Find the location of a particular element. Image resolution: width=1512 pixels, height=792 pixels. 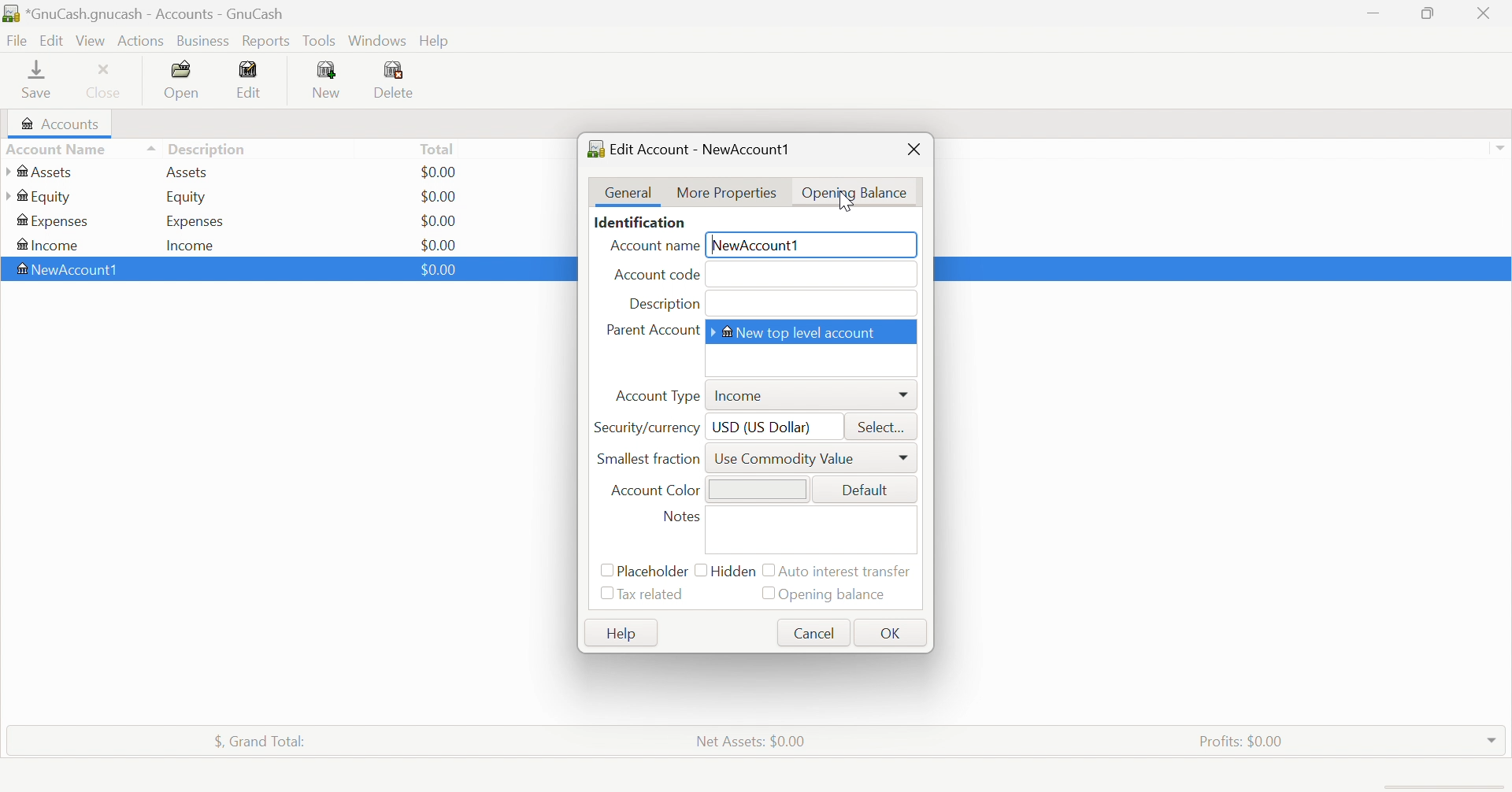

Business is located at coordinates (203, 39).